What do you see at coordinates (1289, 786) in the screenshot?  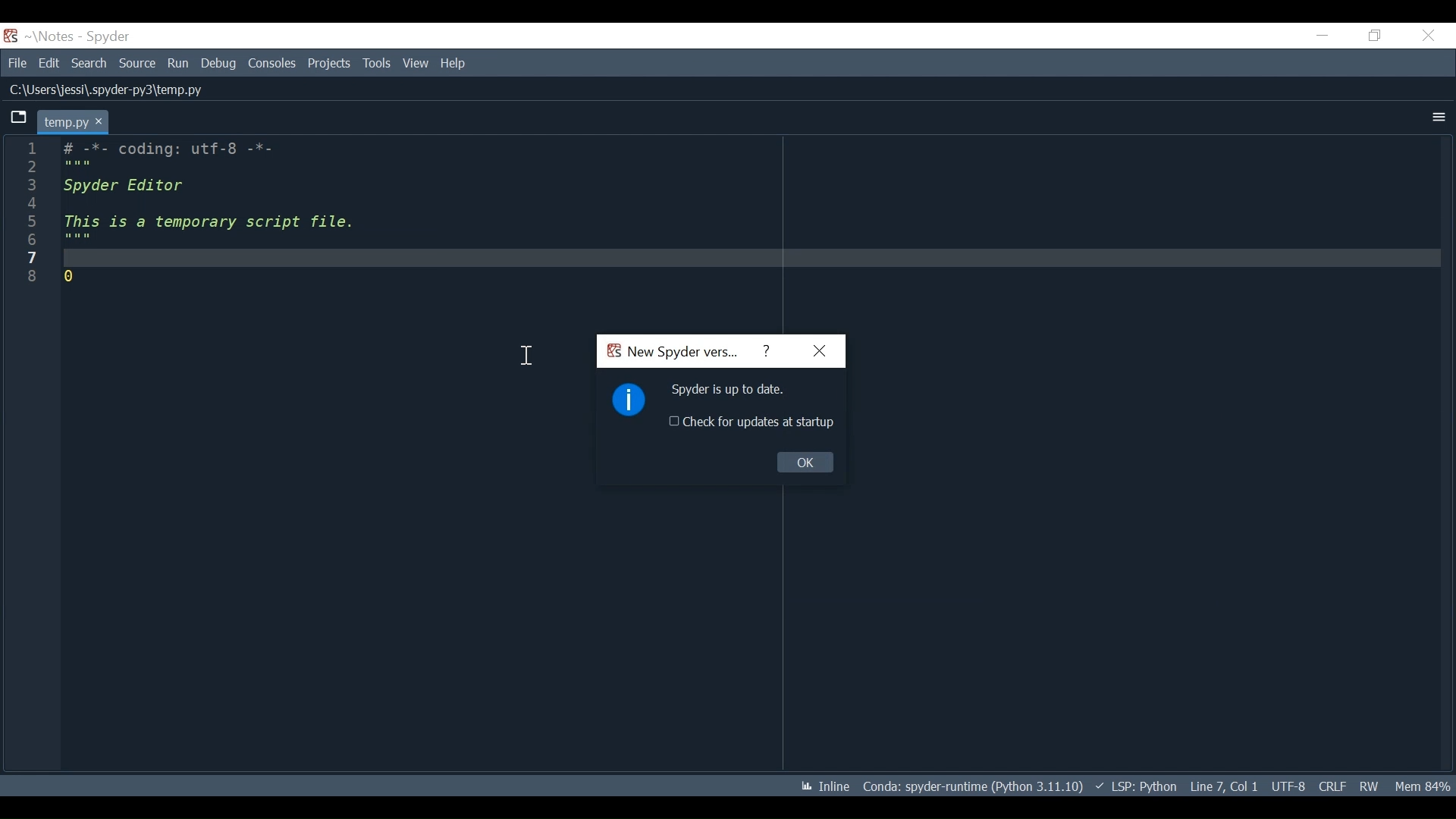 I see `UTF: 8` at bounding box center [1289, 786].